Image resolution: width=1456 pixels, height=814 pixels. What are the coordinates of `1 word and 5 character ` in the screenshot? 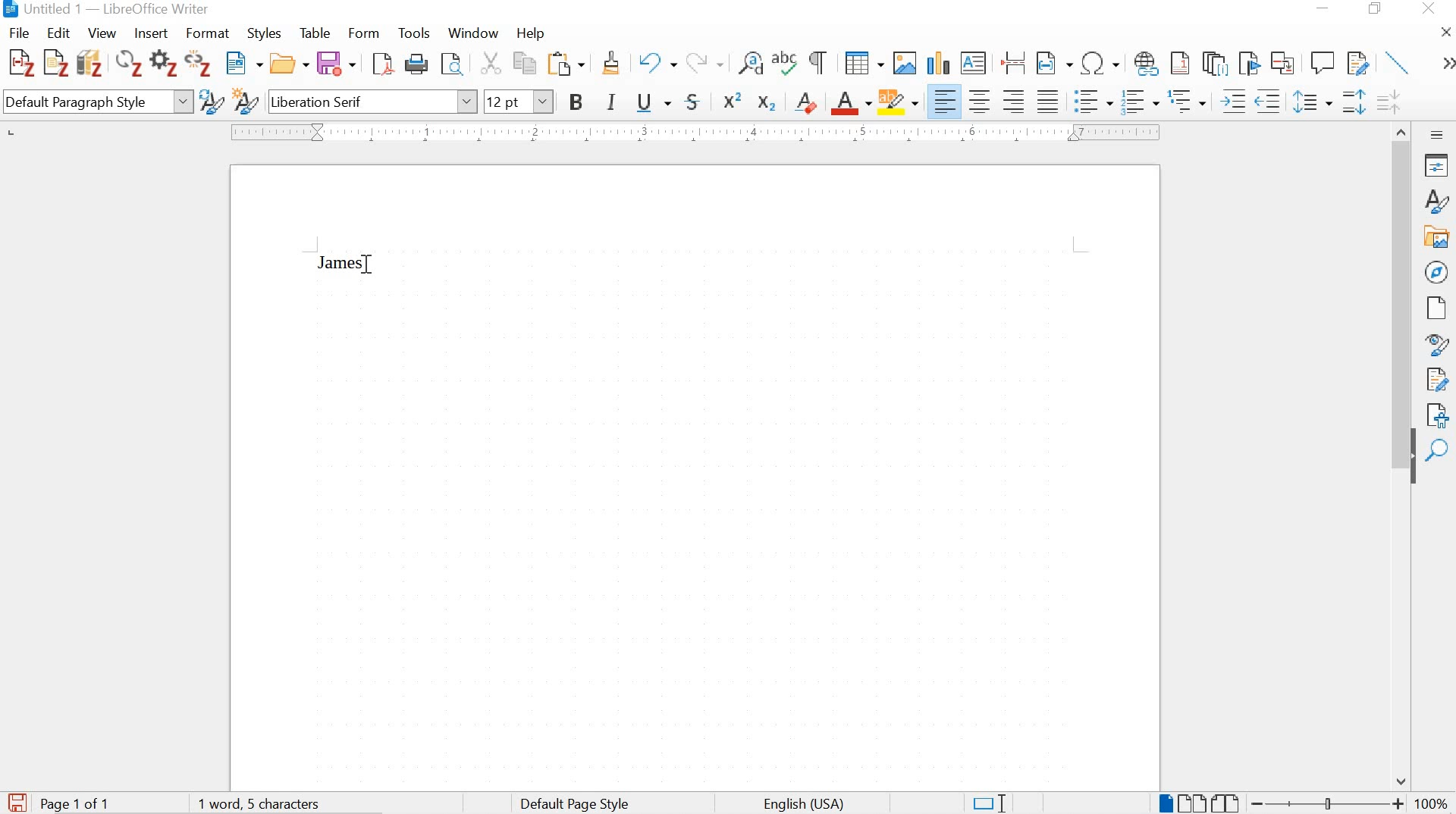 It's located at (263, 804).